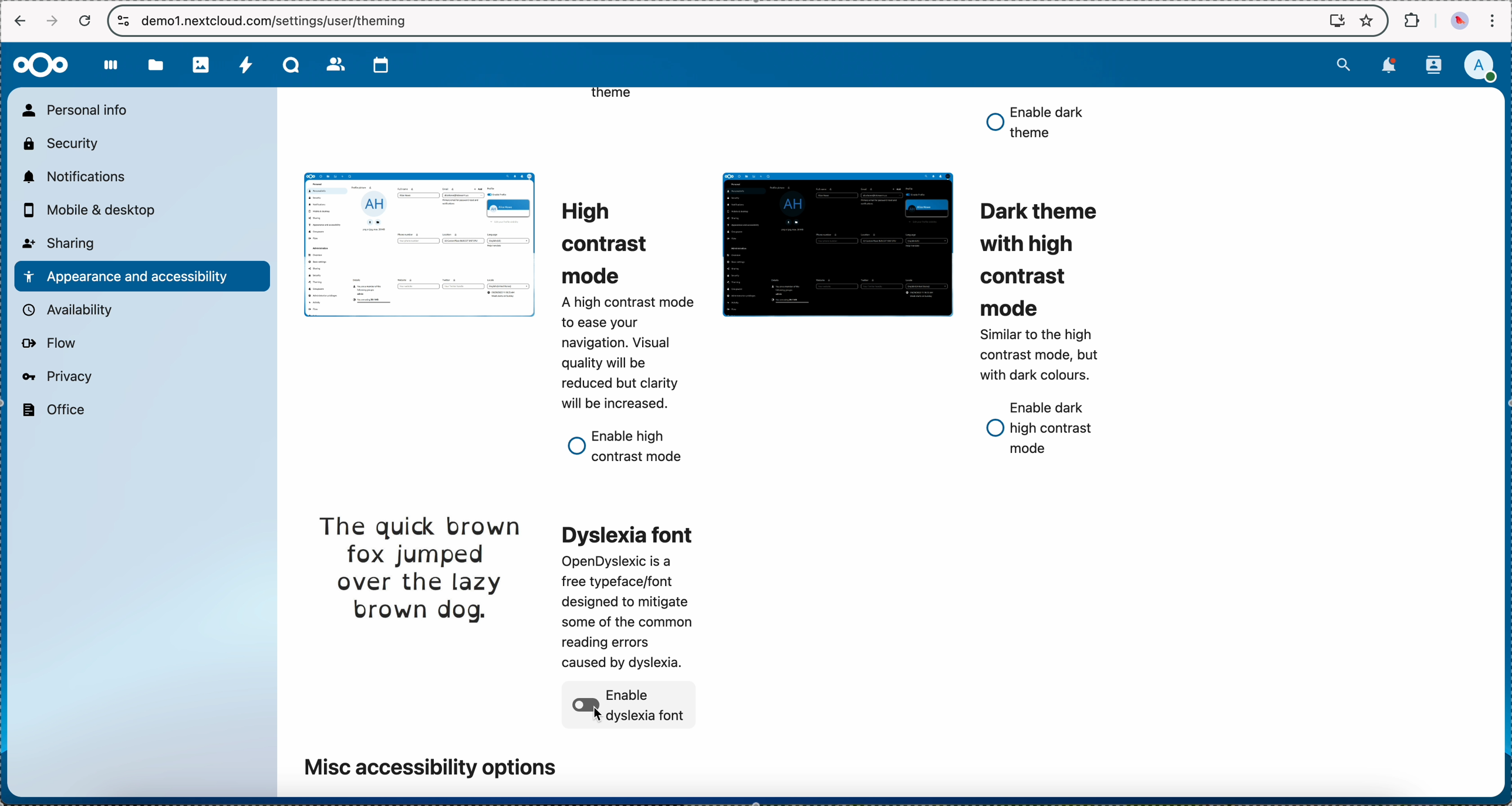 The image size is (1512, 806). What do you see at coordinates (70, 309) in the screenshot?
I see `availability` at bounding box center [70, 309].